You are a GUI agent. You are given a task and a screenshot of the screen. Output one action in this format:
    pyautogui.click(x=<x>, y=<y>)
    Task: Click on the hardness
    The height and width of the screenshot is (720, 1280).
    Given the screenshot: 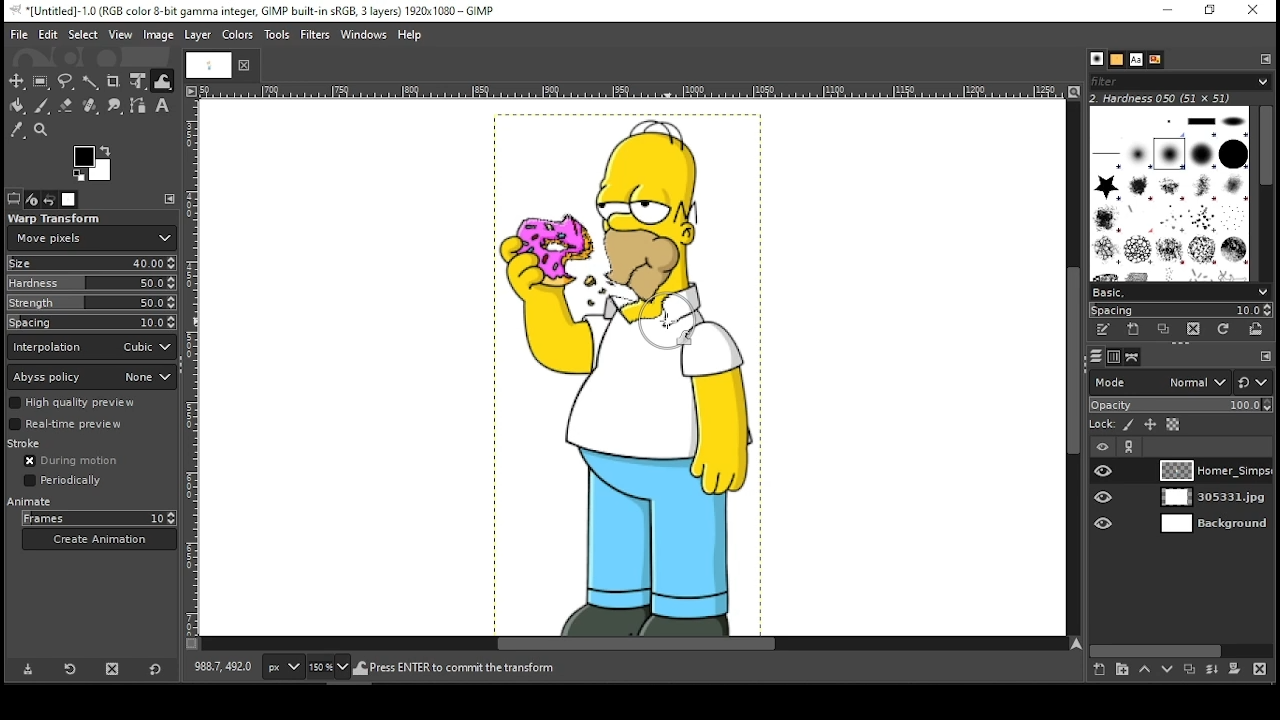 What is the action you would take?
    pyautogui.click(x=91, y=283)
    